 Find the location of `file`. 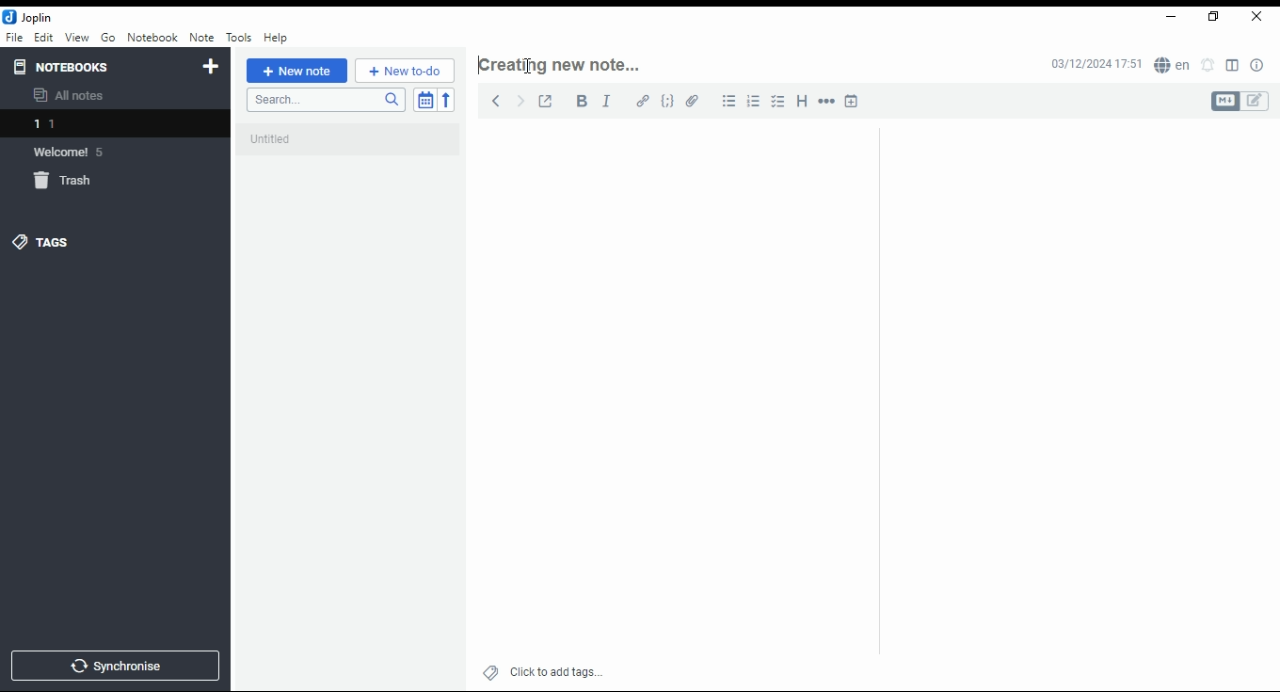

file is located at coordinates (14, 37).